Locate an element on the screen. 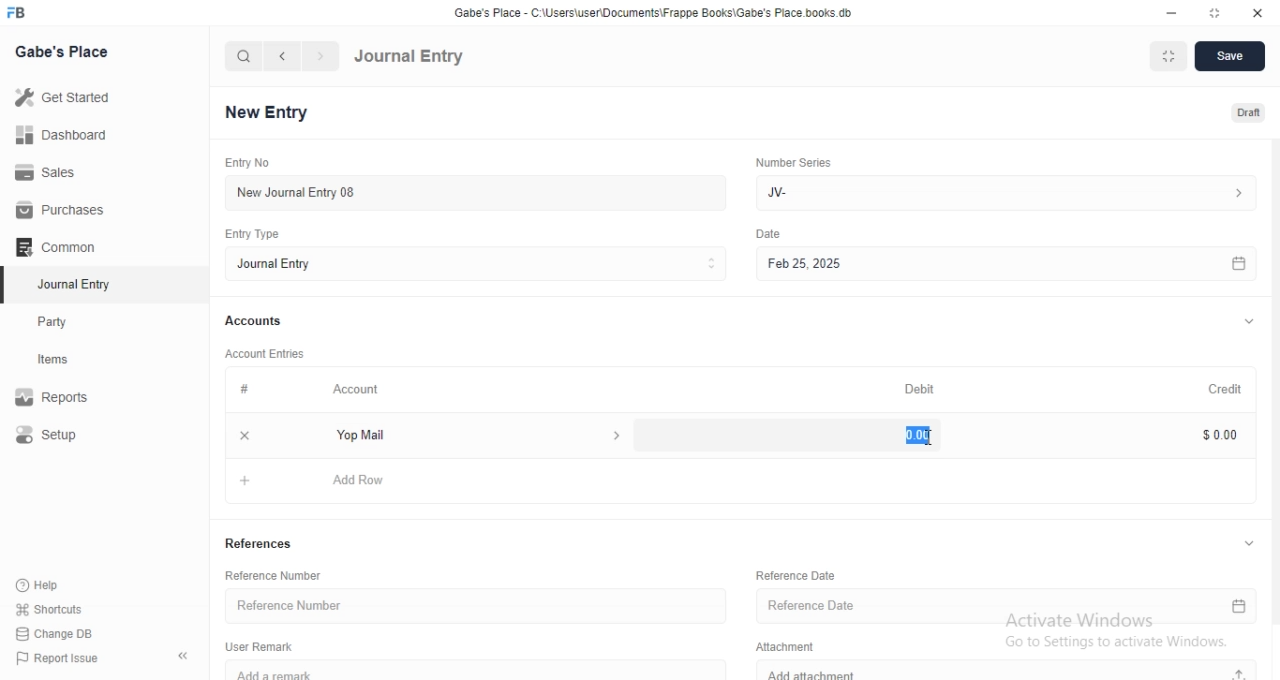 The image size is (1280, 680). Account Entries is located at coordinates (267, 354).